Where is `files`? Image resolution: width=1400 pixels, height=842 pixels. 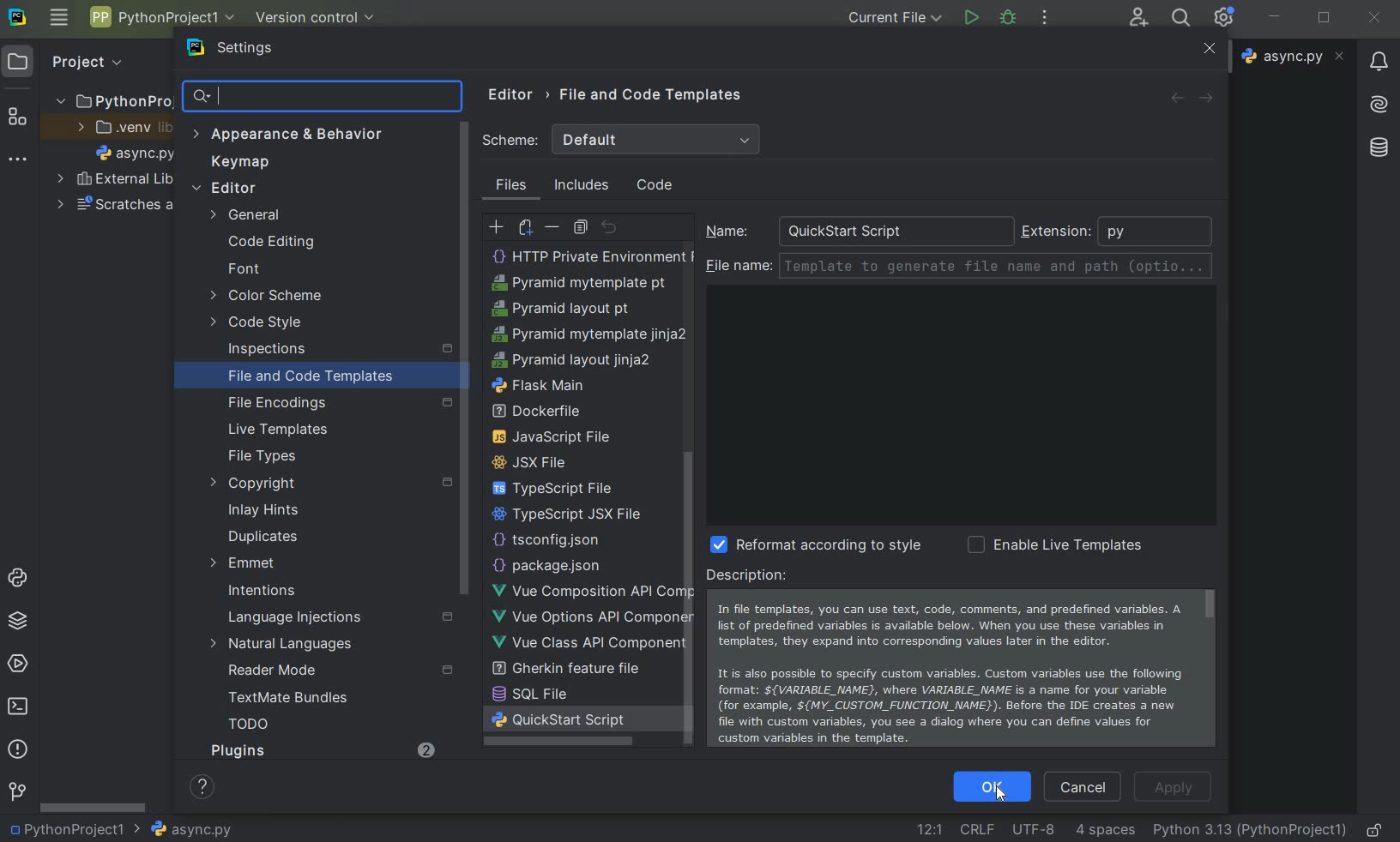
files is located at coordinates (513, 187).